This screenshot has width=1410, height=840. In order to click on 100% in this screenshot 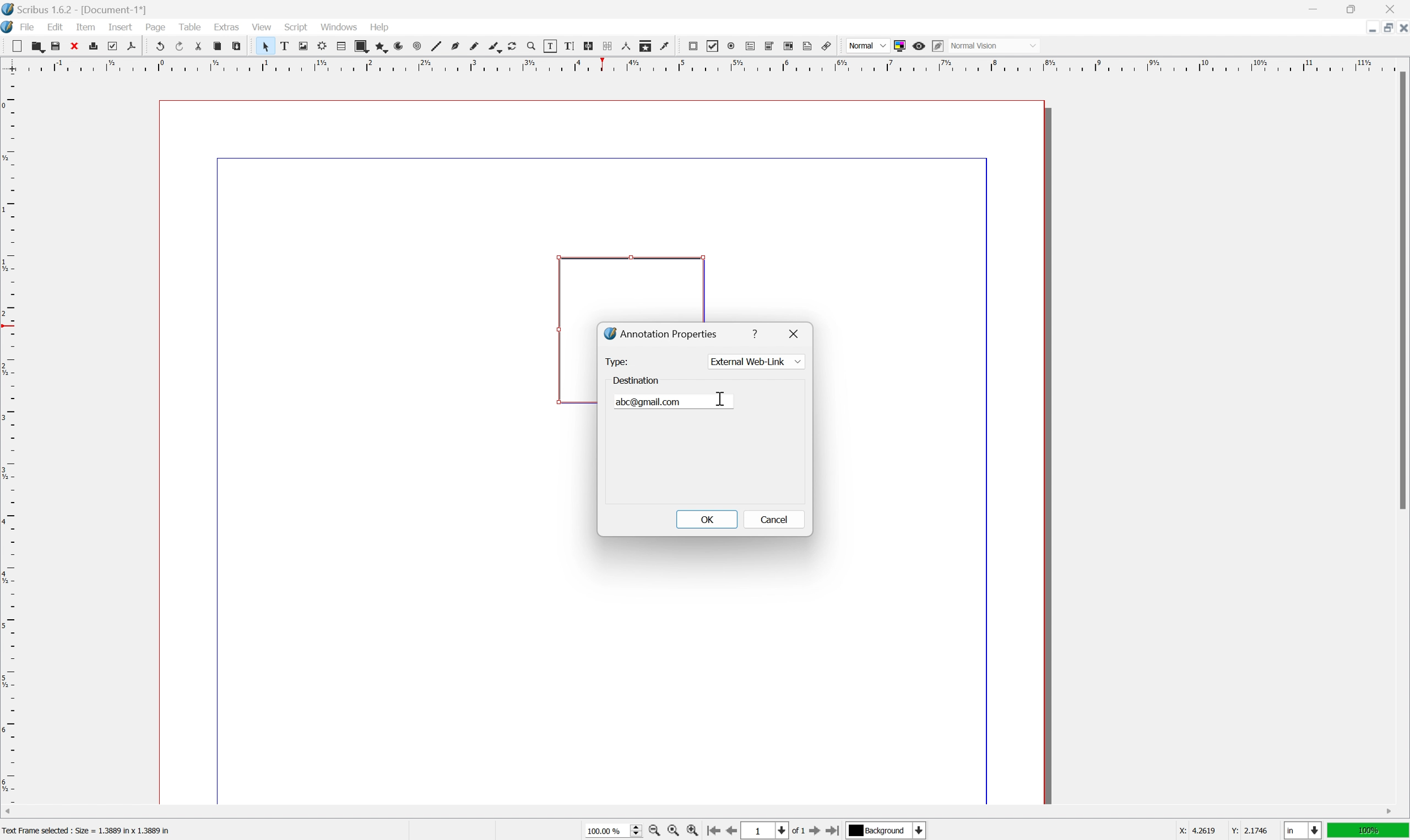, I will do `click(1369, 831)`.